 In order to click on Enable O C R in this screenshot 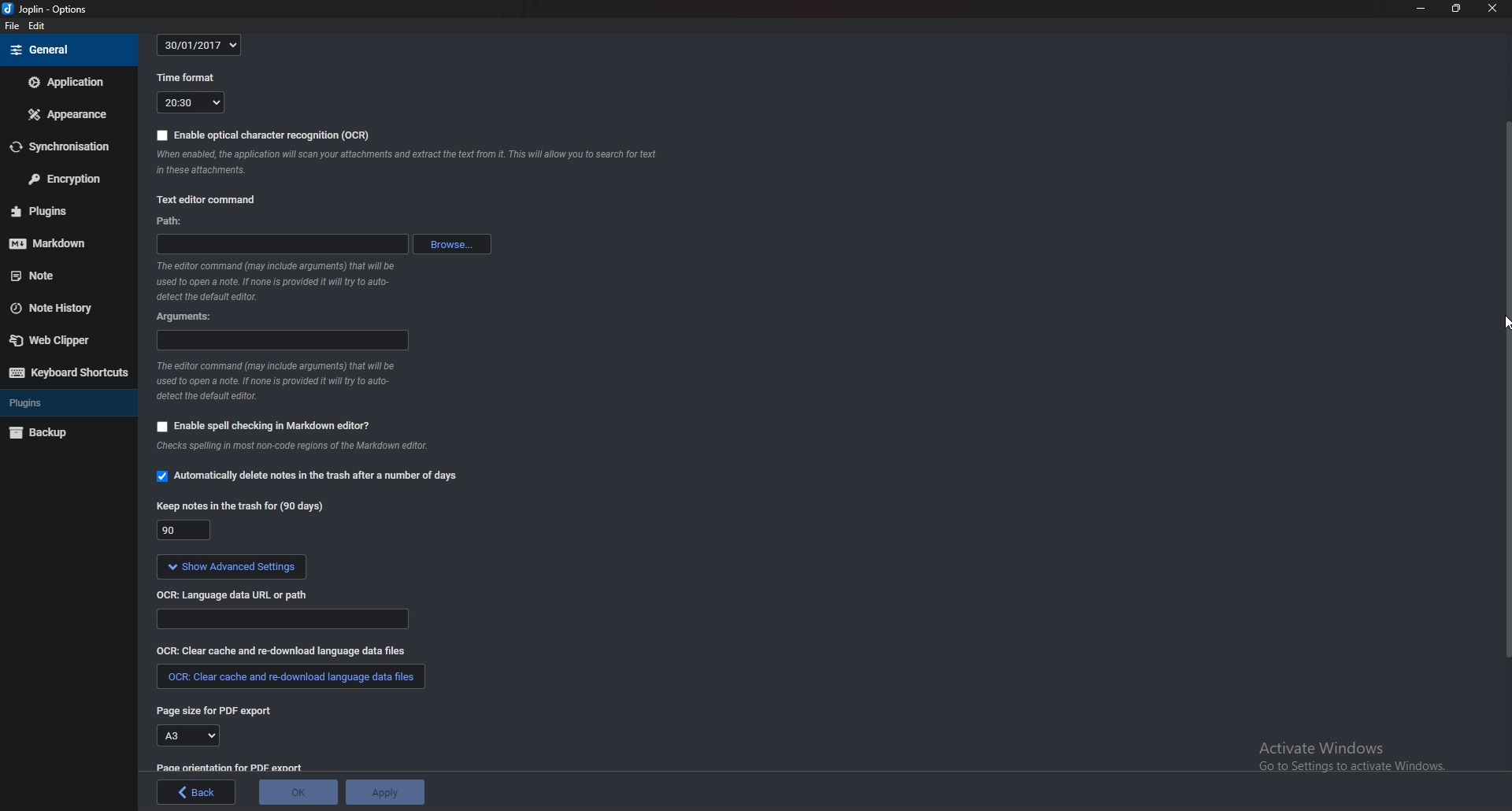, I will do `click(264, 135)`.